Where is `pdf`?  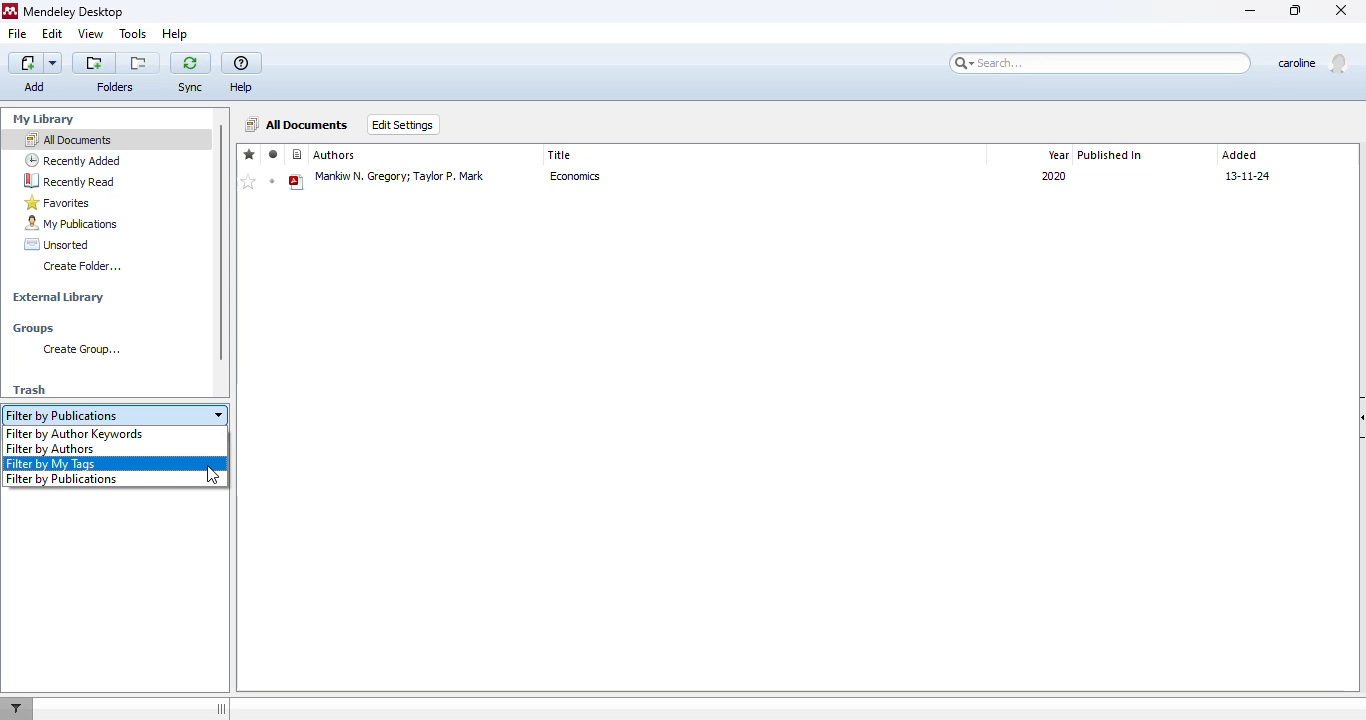
pdf is located at coordinates (297, 183).